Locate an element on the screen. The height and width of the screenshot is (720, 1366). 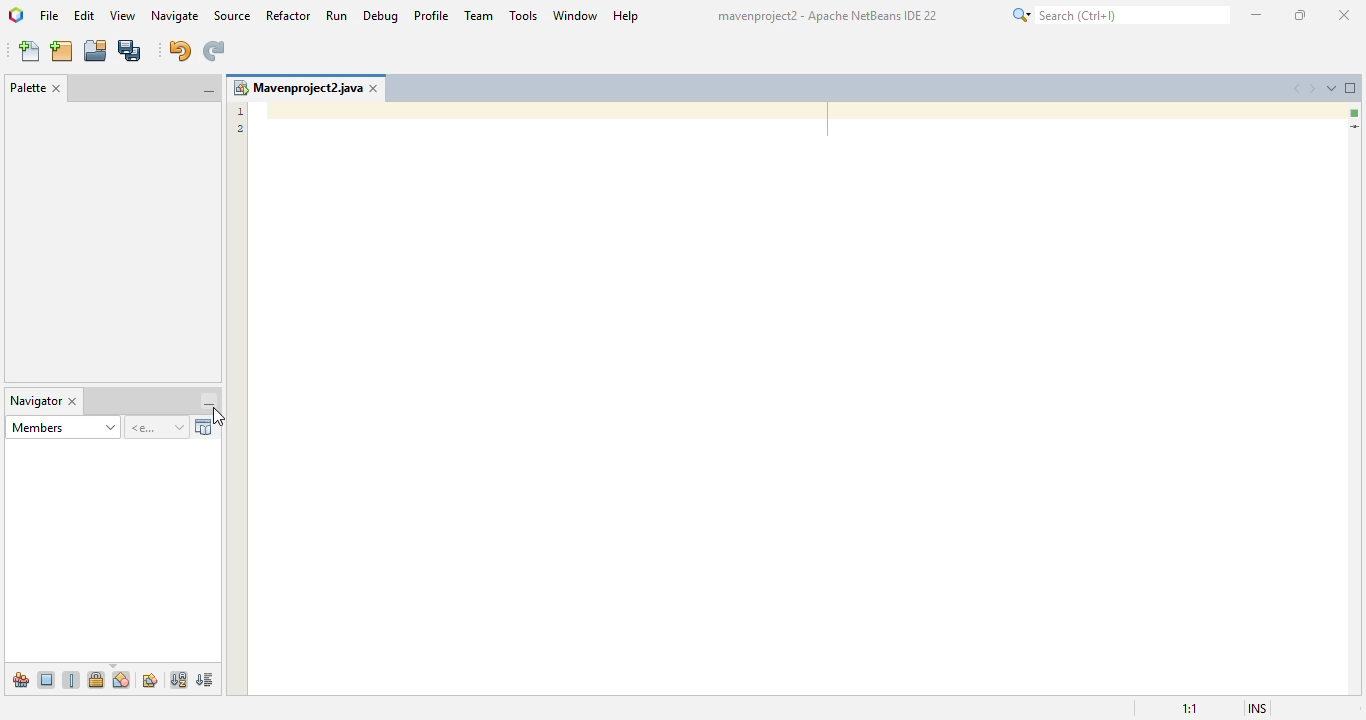
file is located at coordinates (49, 15).